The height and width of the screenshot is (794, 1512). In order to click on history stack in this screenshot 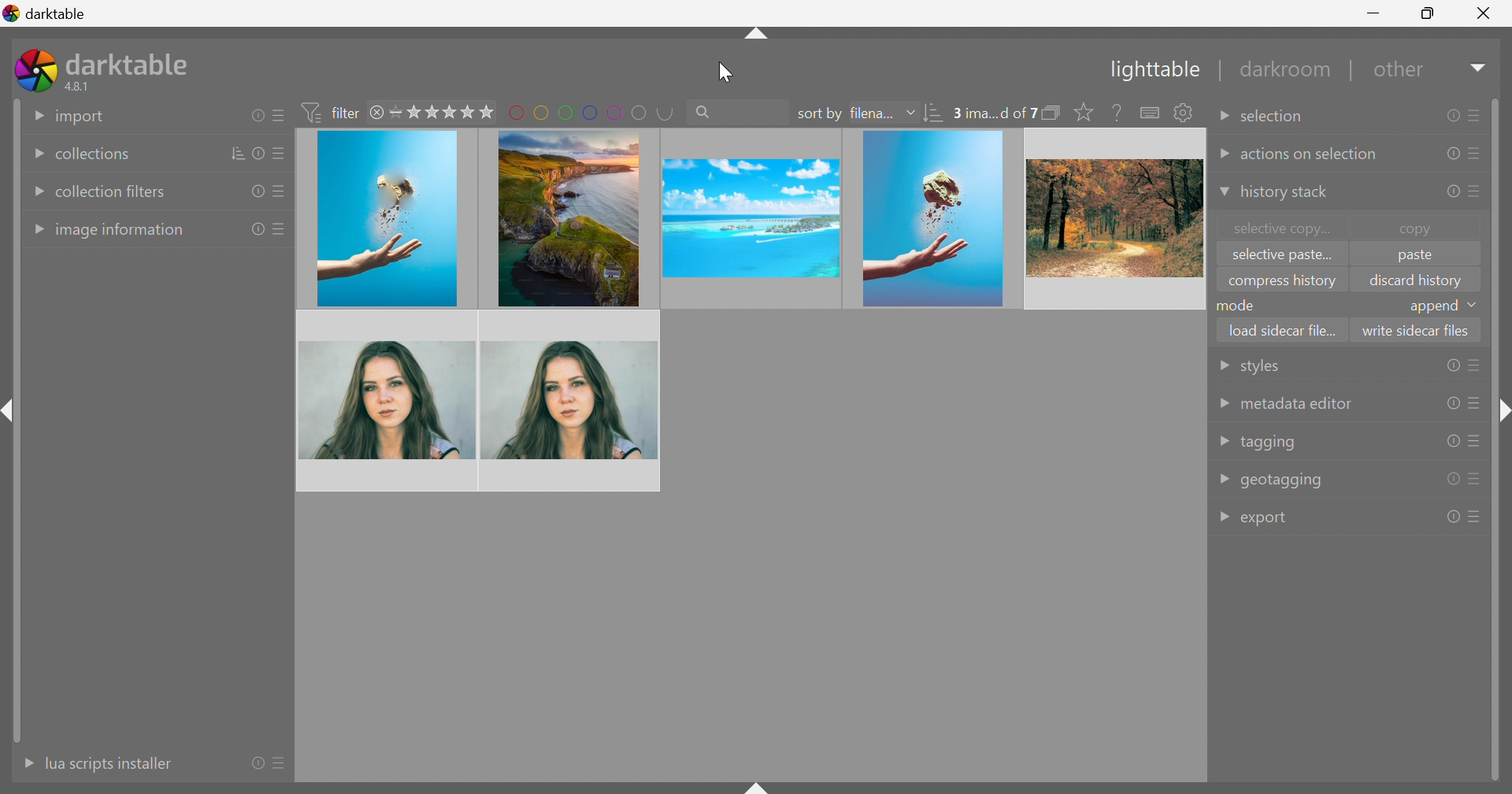, I will do `click(1284, 193)`.